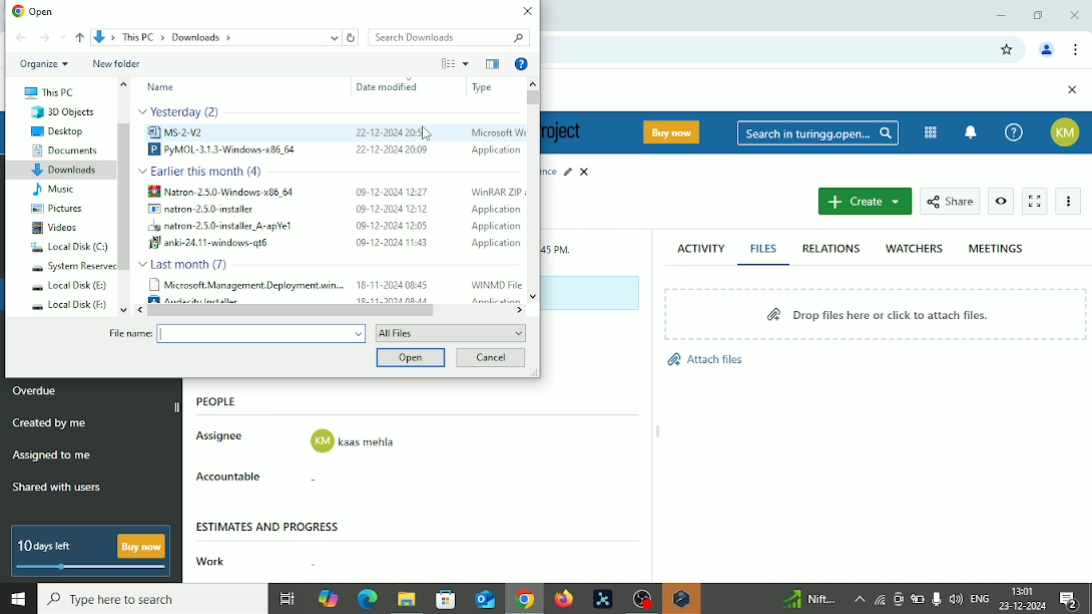 This screenshot has width=1092, height=614. What do you see at coordinates (950, 200) in the screenshot?
I see `Share` at bounding box center [950, 200].